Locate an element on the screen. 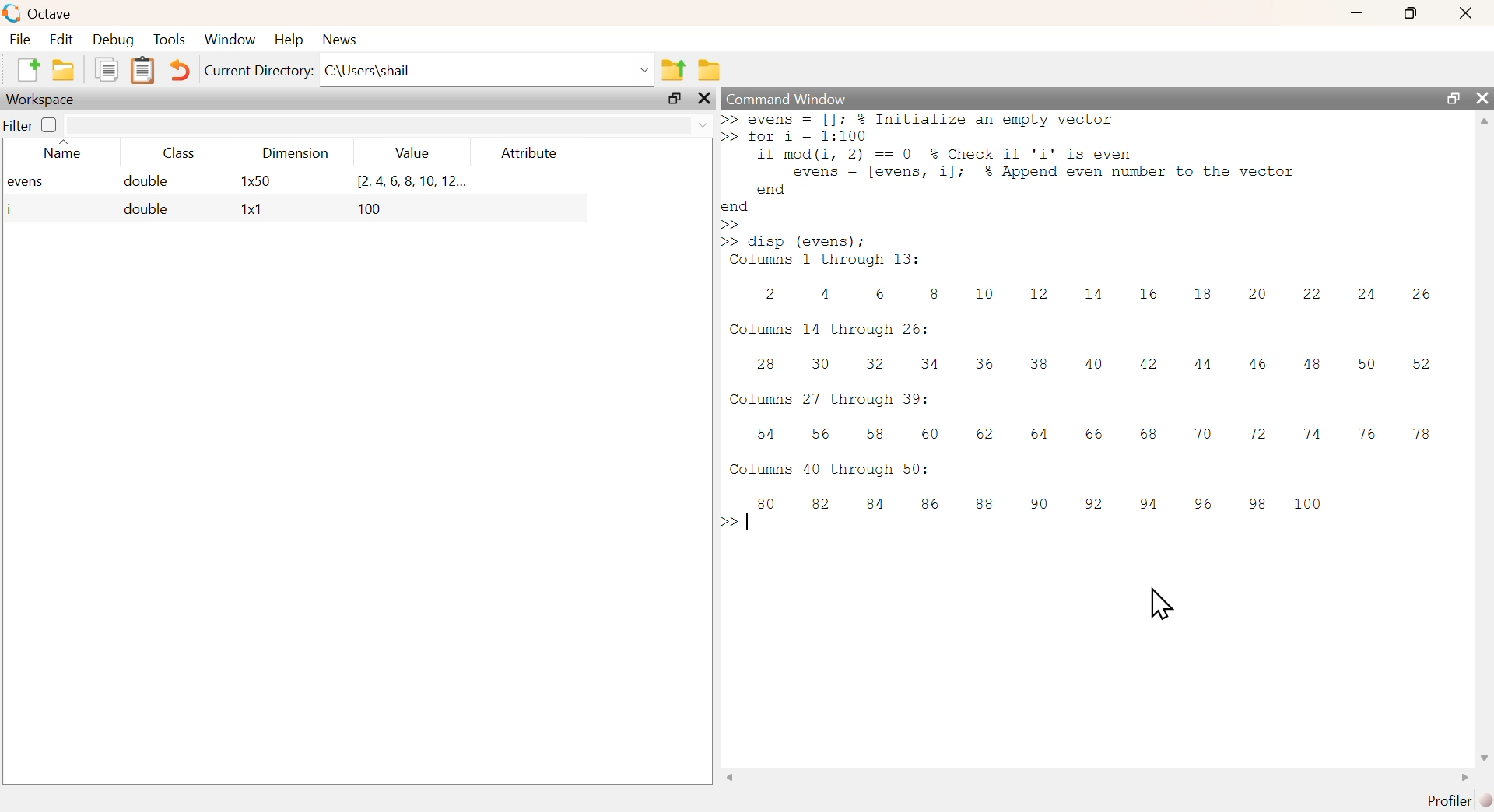 This screenshot has width=1494, height=812. evens is located at coordinates (32, 184).